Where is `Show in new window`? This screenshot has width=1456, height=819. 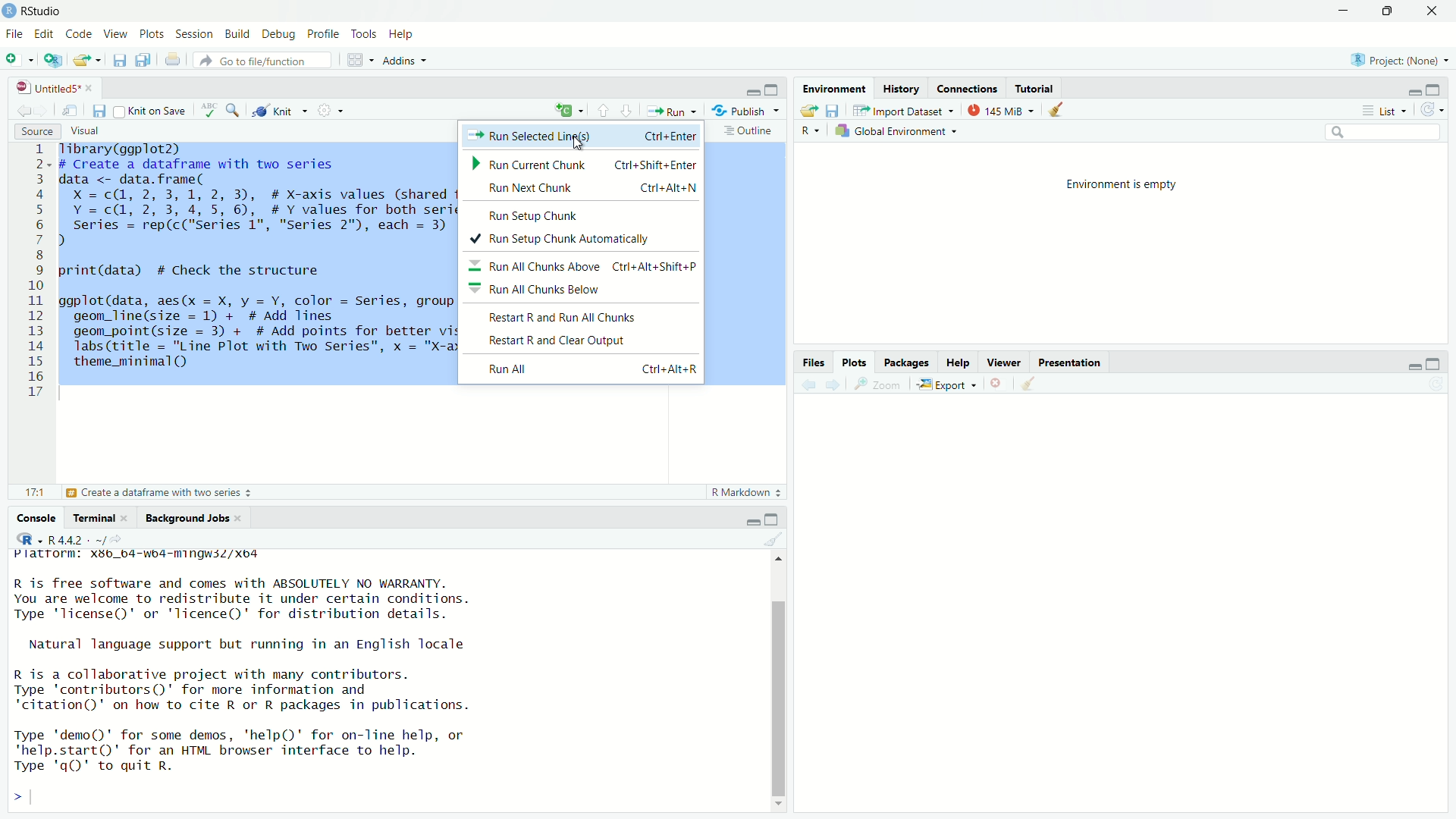
Show in new window is located at coordinates (71, 111).